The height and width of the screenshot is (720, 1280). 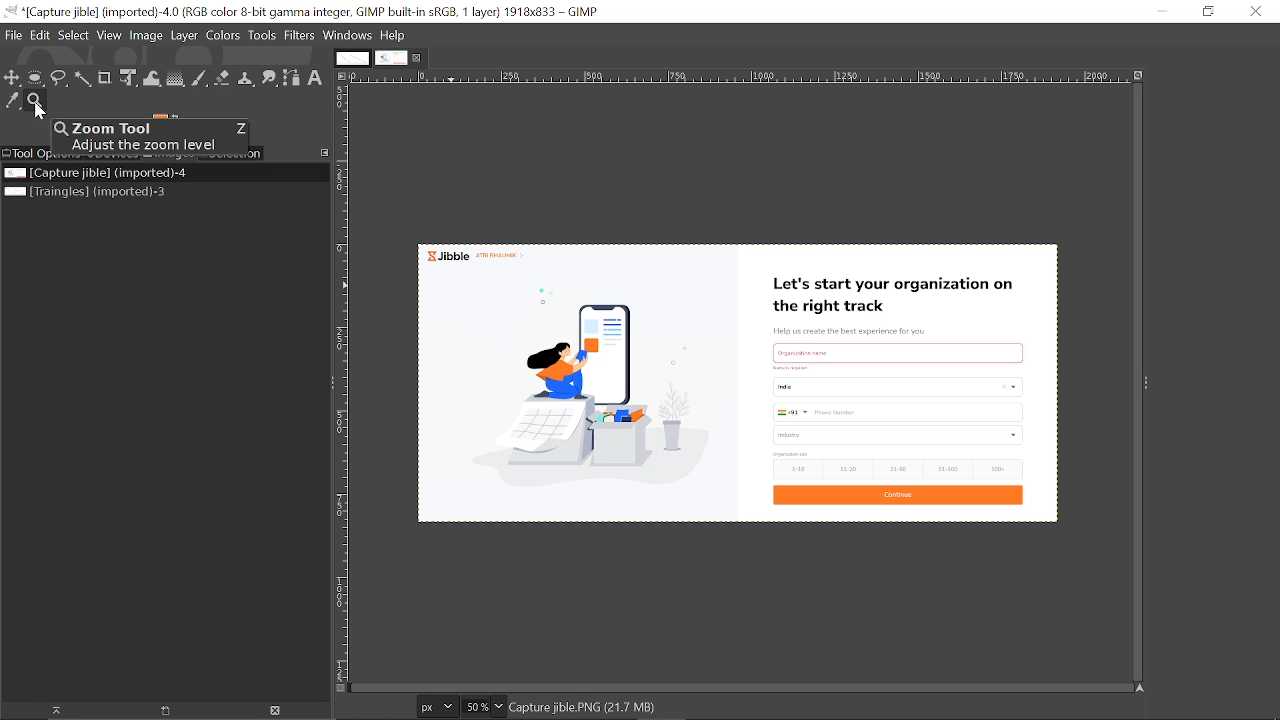 I want to click on Current Image , so click(x=738, y=379).